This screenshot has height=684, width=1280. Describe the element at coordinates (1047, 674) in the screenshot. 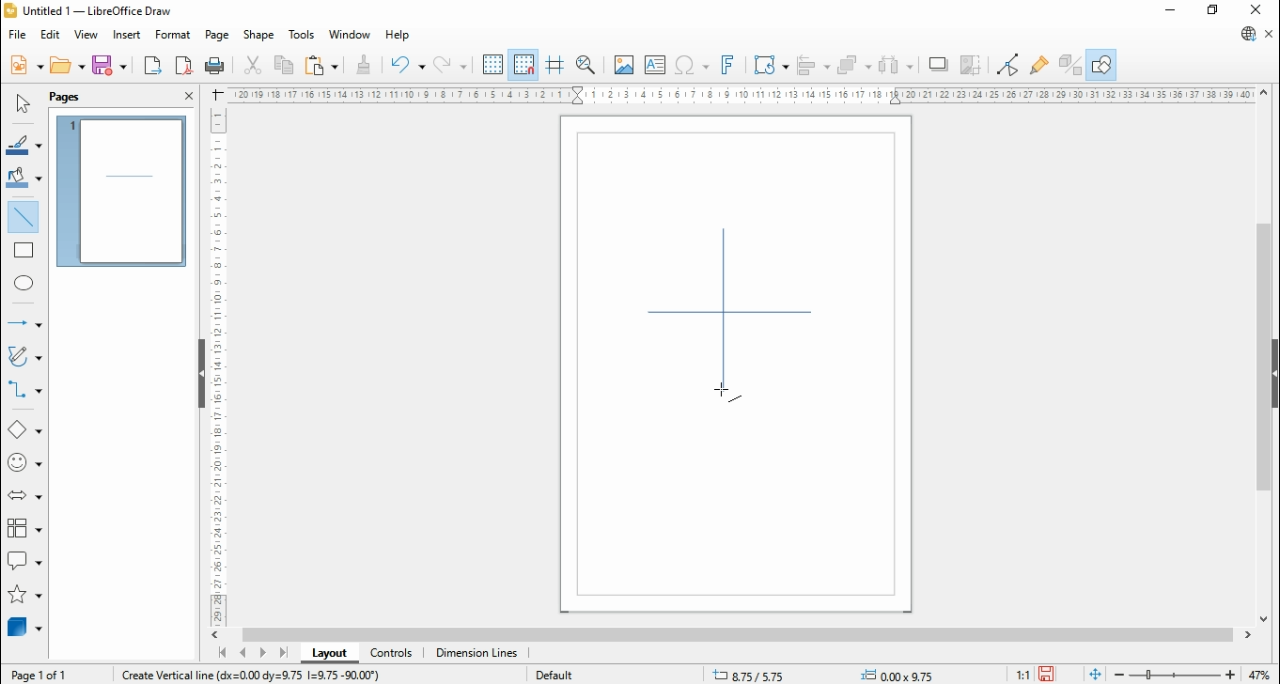

I see `save` at that location.